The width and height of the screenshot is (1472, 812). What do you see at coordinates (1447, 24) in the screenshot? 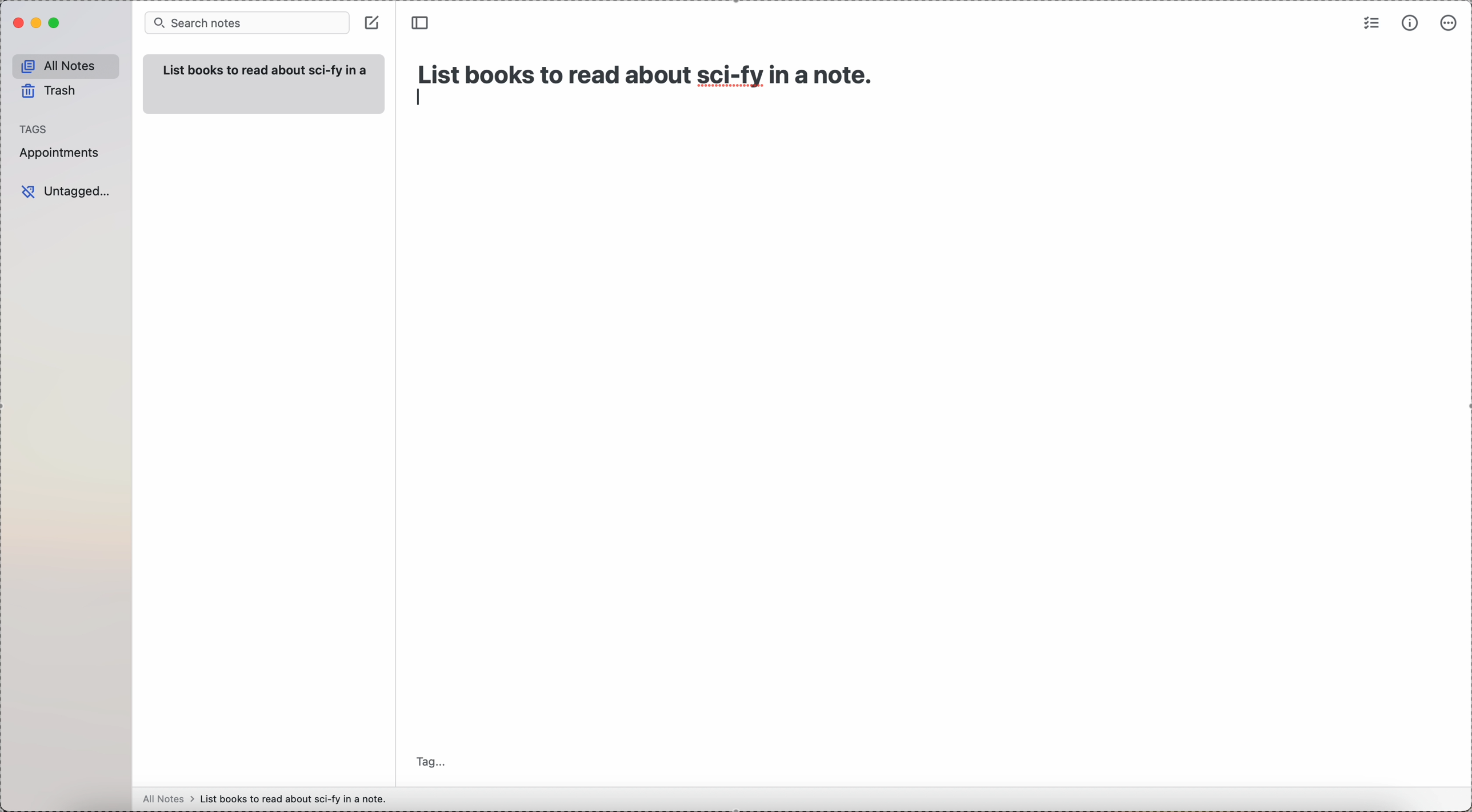
I see `more options` at bounding box center [1447, 24].